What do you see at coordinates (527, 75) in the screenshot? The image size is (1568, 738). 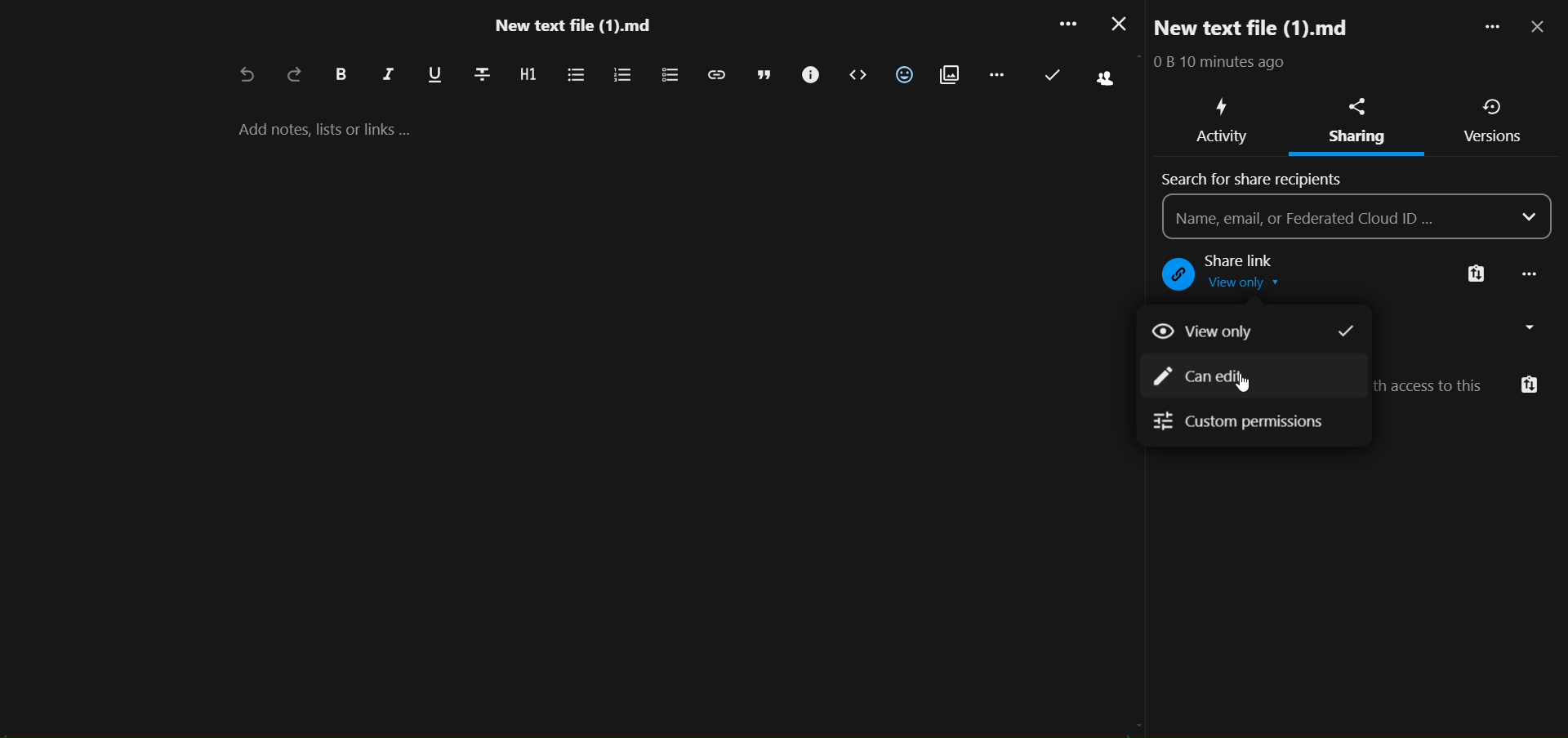 I see `heading` at bounding box center [527, 75].